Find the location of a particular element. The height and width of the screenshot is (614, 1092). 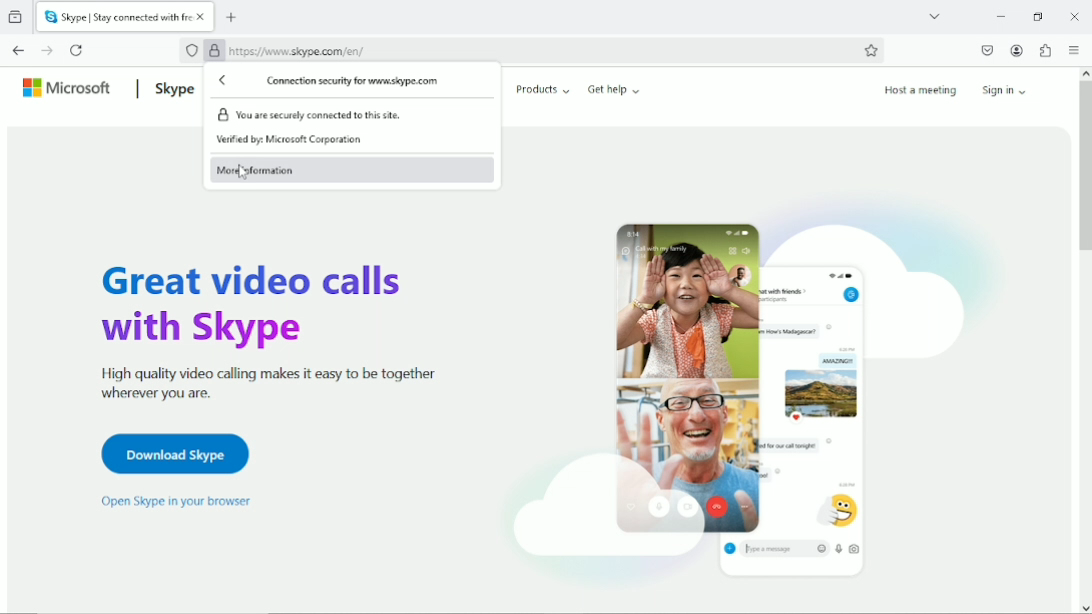

Sign in is located at coordinates (1008, 89).